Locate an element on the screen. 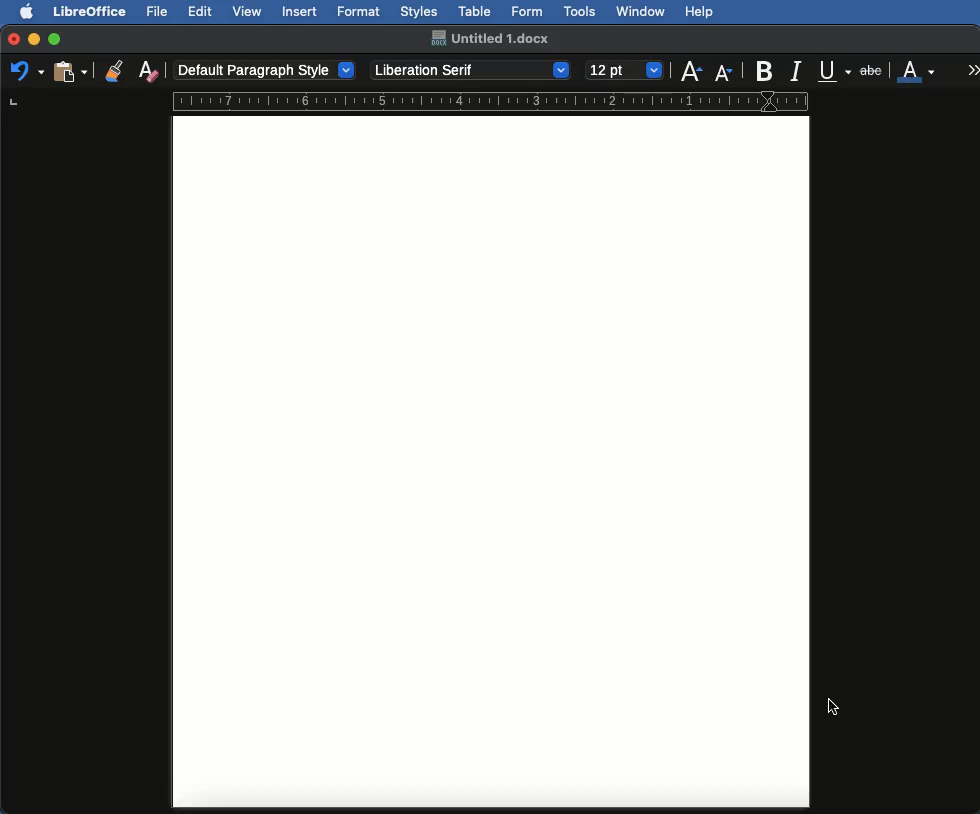  Clipboard is located at coordinates (70, 70).